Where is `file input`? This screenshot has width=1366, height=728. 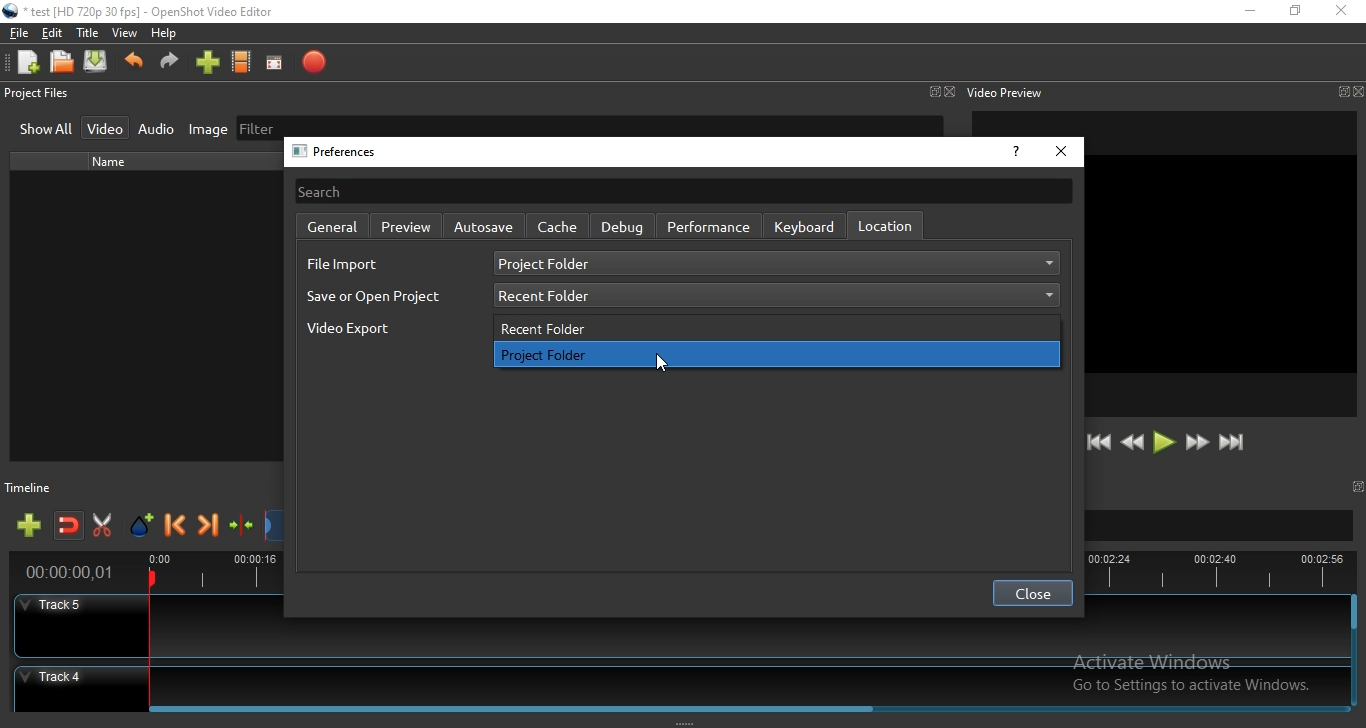
file input is located at coordinates (343, 265).